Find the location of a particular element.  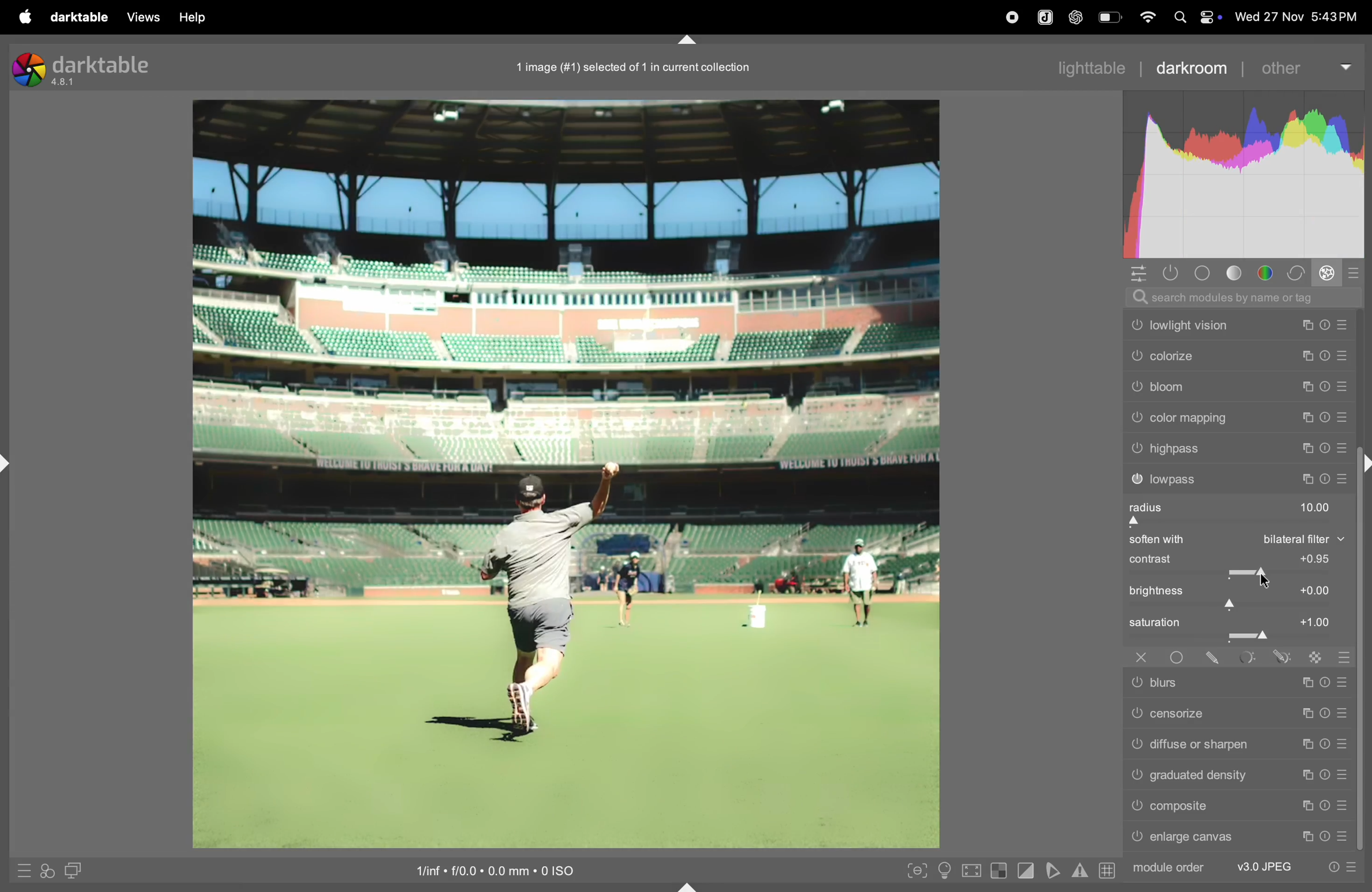

uniformity is located at coordinates (1179, 658).